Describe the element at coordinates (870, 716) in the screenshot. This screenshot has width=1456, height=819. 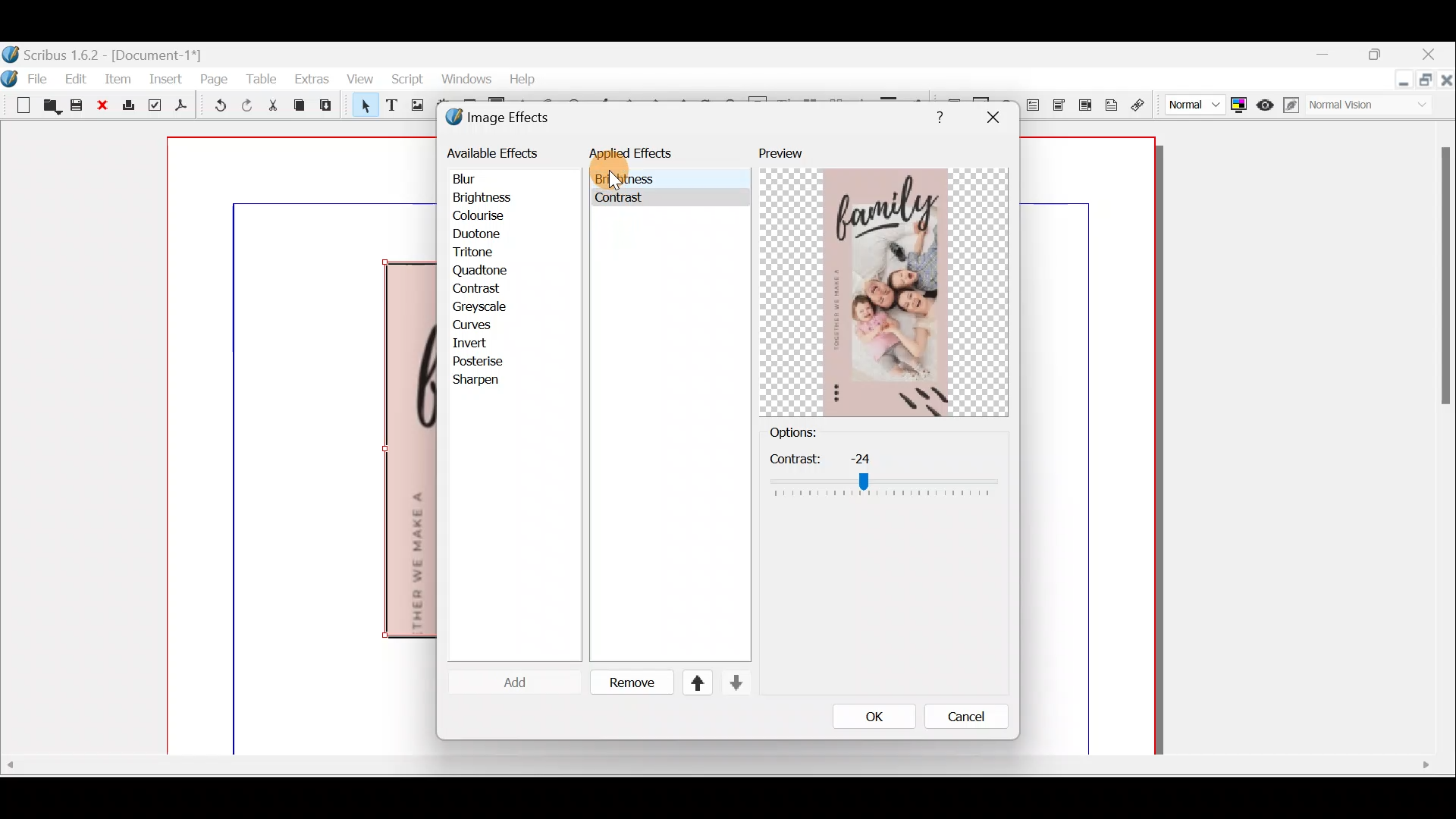
I see `OK` at that location.